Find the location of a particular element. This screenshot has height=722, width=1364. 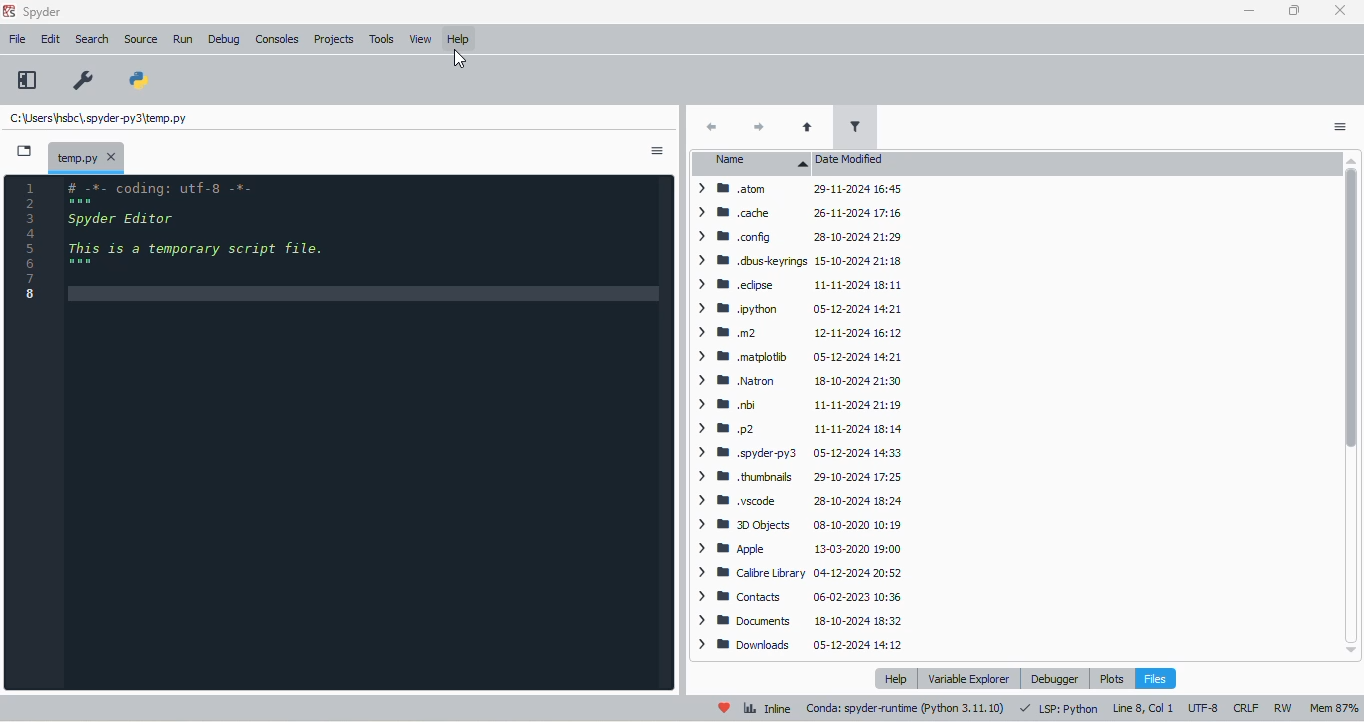

options is located at coordinates (1340, 127).